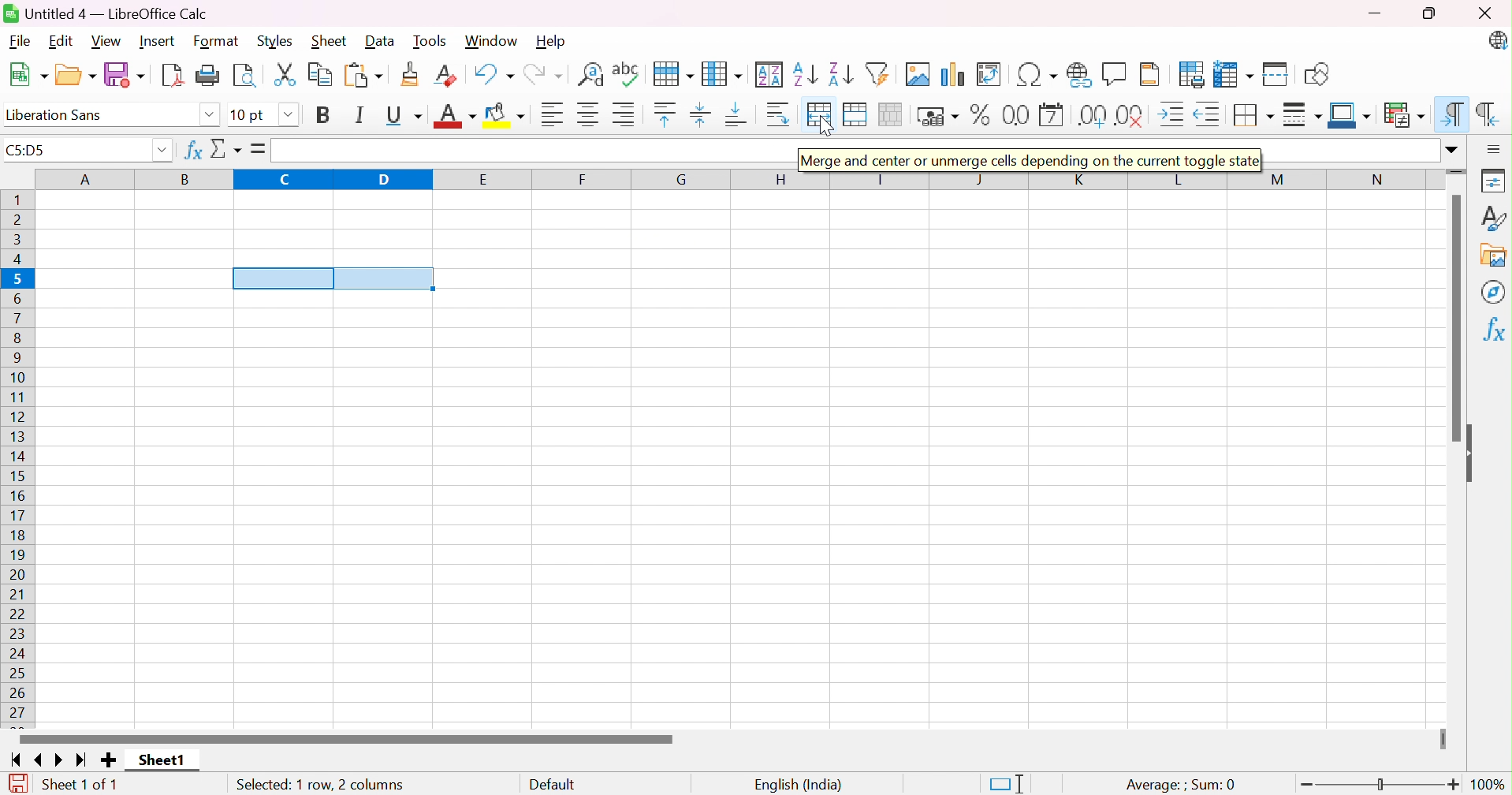 Image resolution: width=1512 pixels, height=795 pixels. I want to click on LibreOffice Calc, so click(1497, 42).